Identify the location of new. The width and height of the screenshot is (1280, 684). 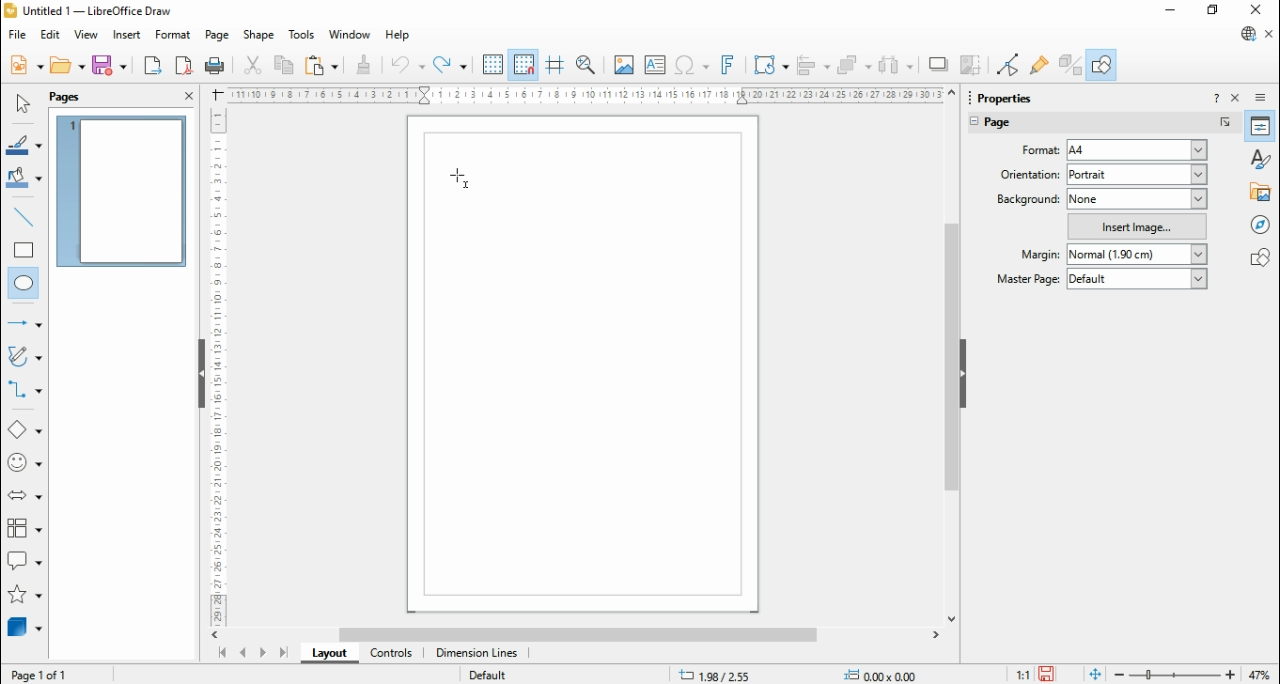
(26, 64).